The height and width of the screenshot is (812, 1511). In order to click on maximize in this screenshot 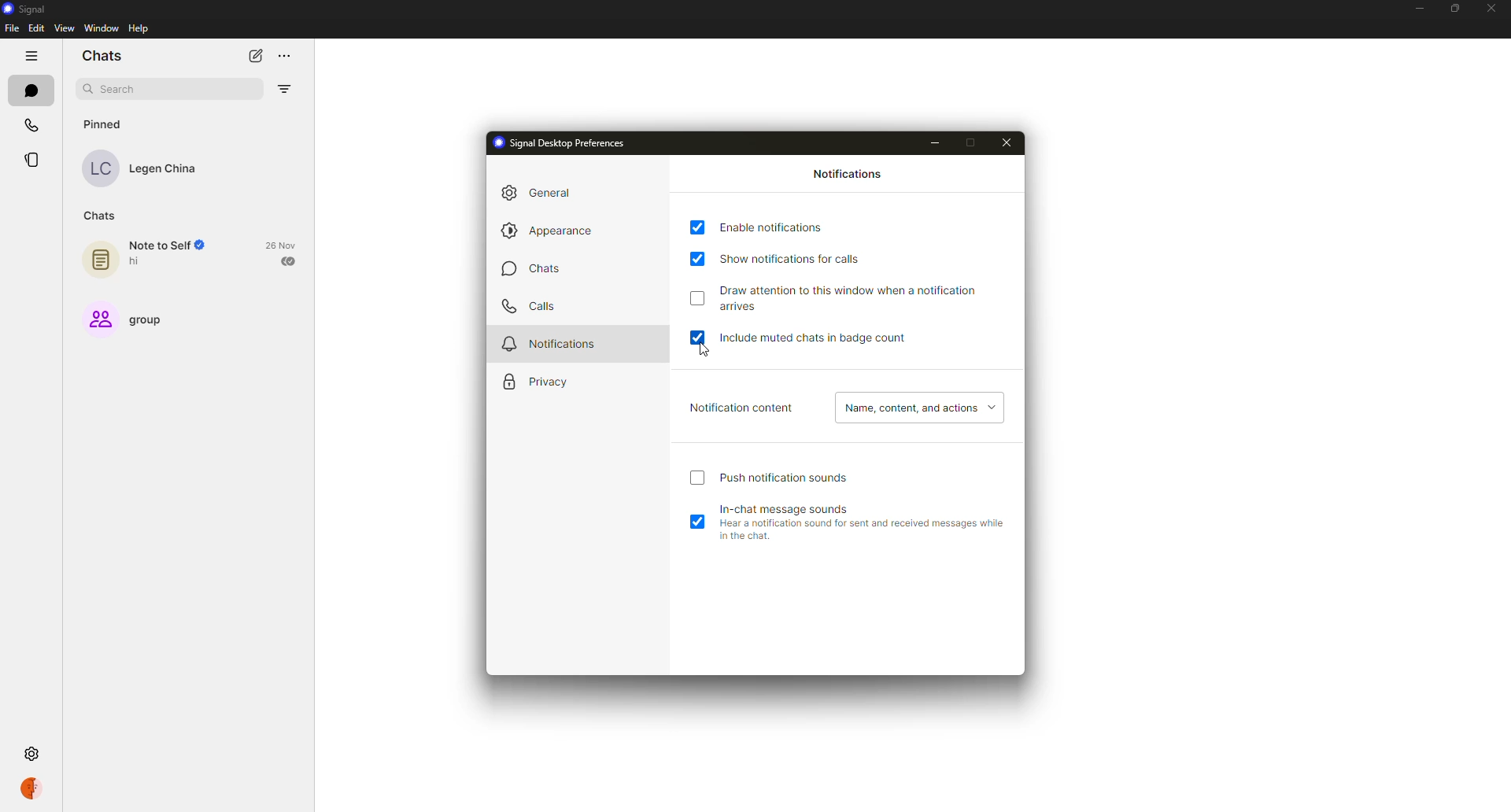, I will do `click(1453, 9)`.